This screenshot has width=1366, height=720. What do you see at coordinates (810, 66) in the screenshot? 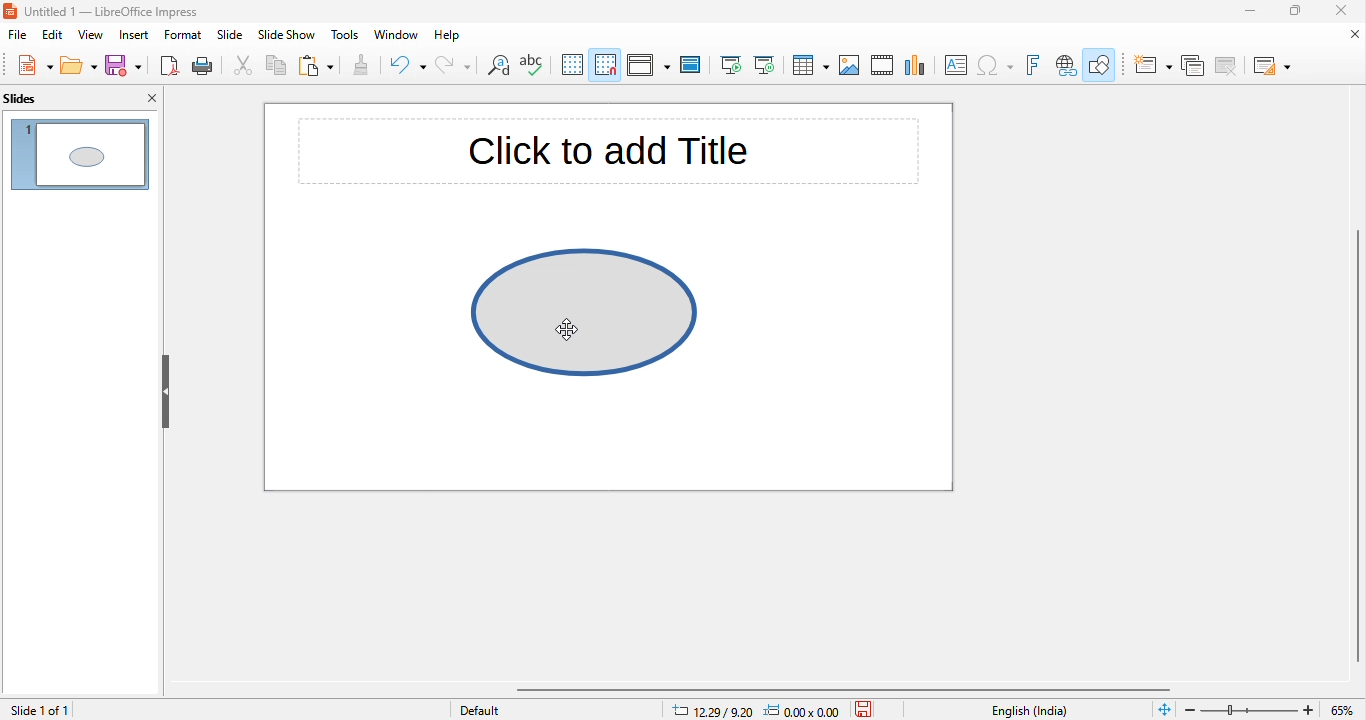
I see `table` at bounding box center [810, 66].